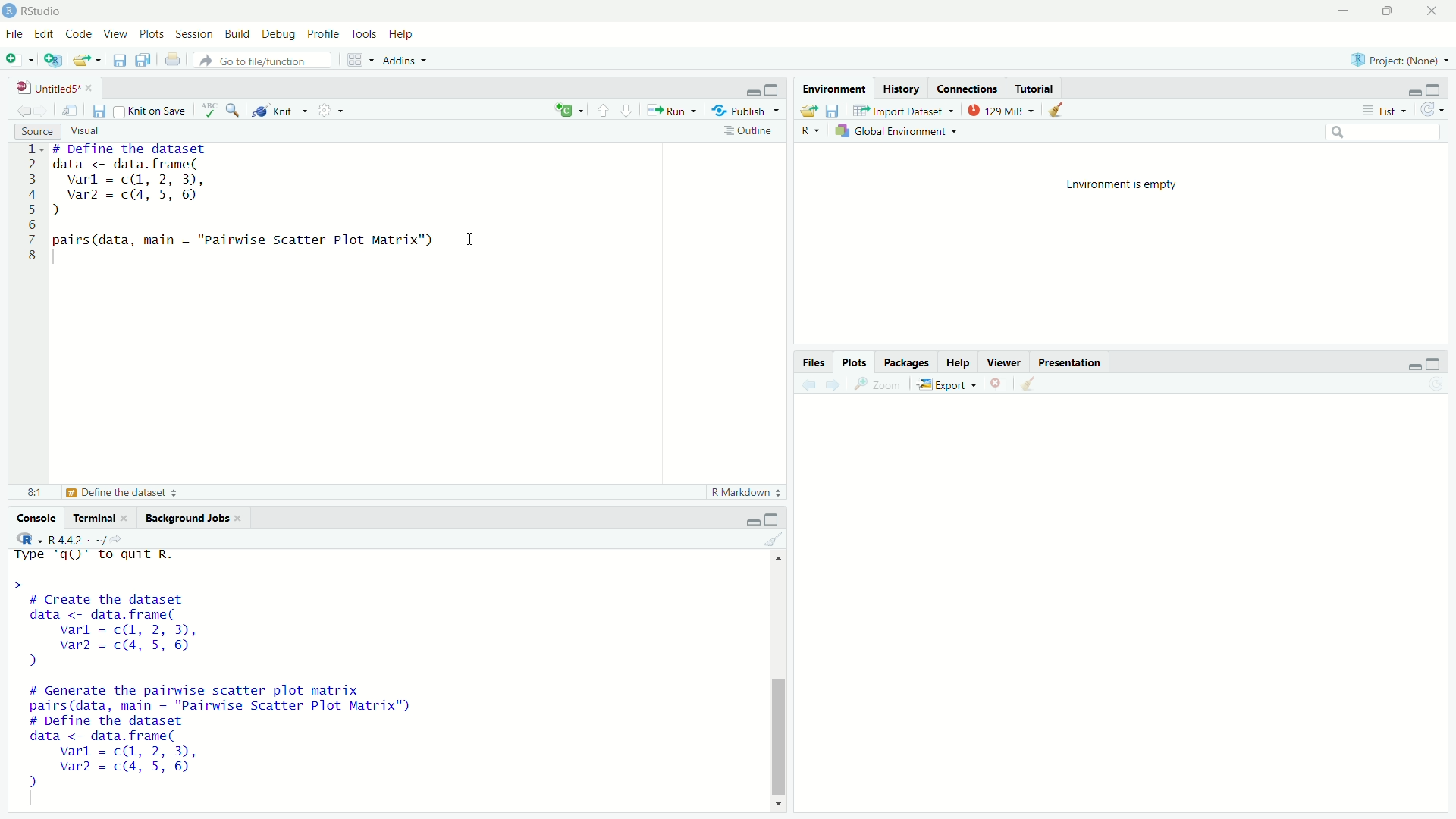 The height and width of the screenshot is (819, 1456). I want to click on Project (Note), so click(1400, 60).